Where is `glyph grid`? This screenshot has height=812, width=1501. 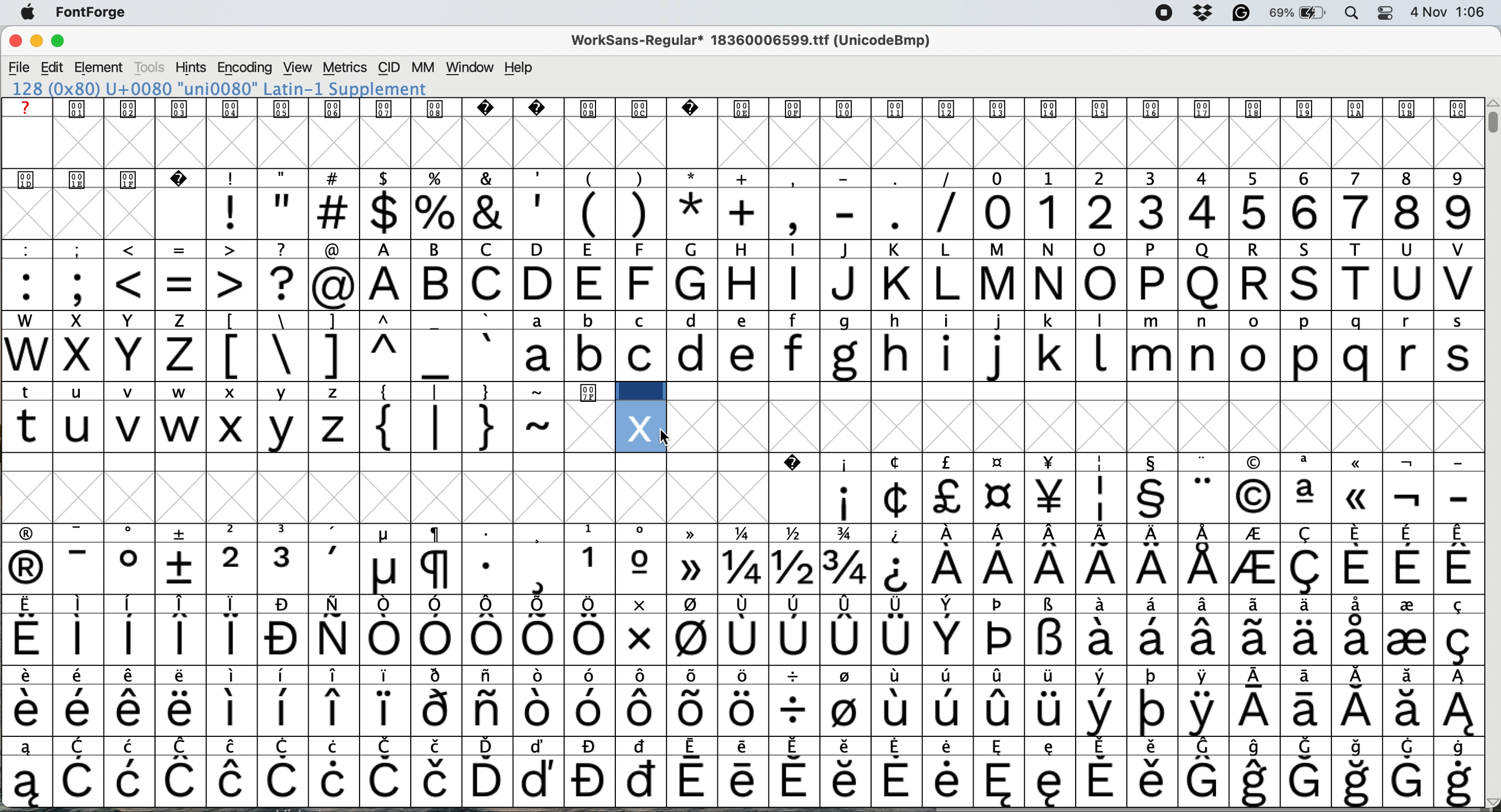 glyph grid is located at coordinates (749, 144).